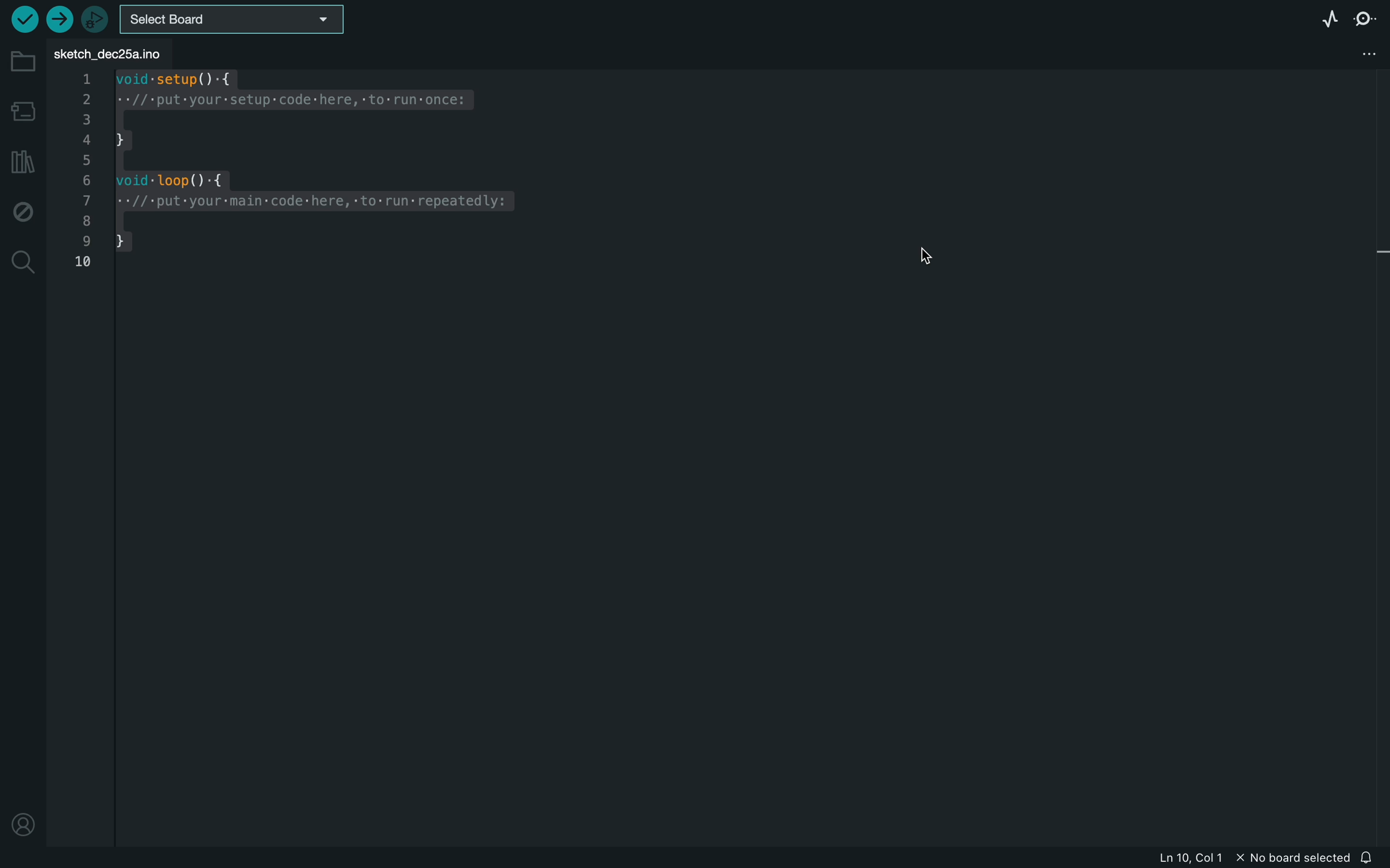 This screenshot has height=868, width=1390. What do you see at coordinates (25, 113) in the screenshot?
I see `board  manager` at bounding box center [25, 113].